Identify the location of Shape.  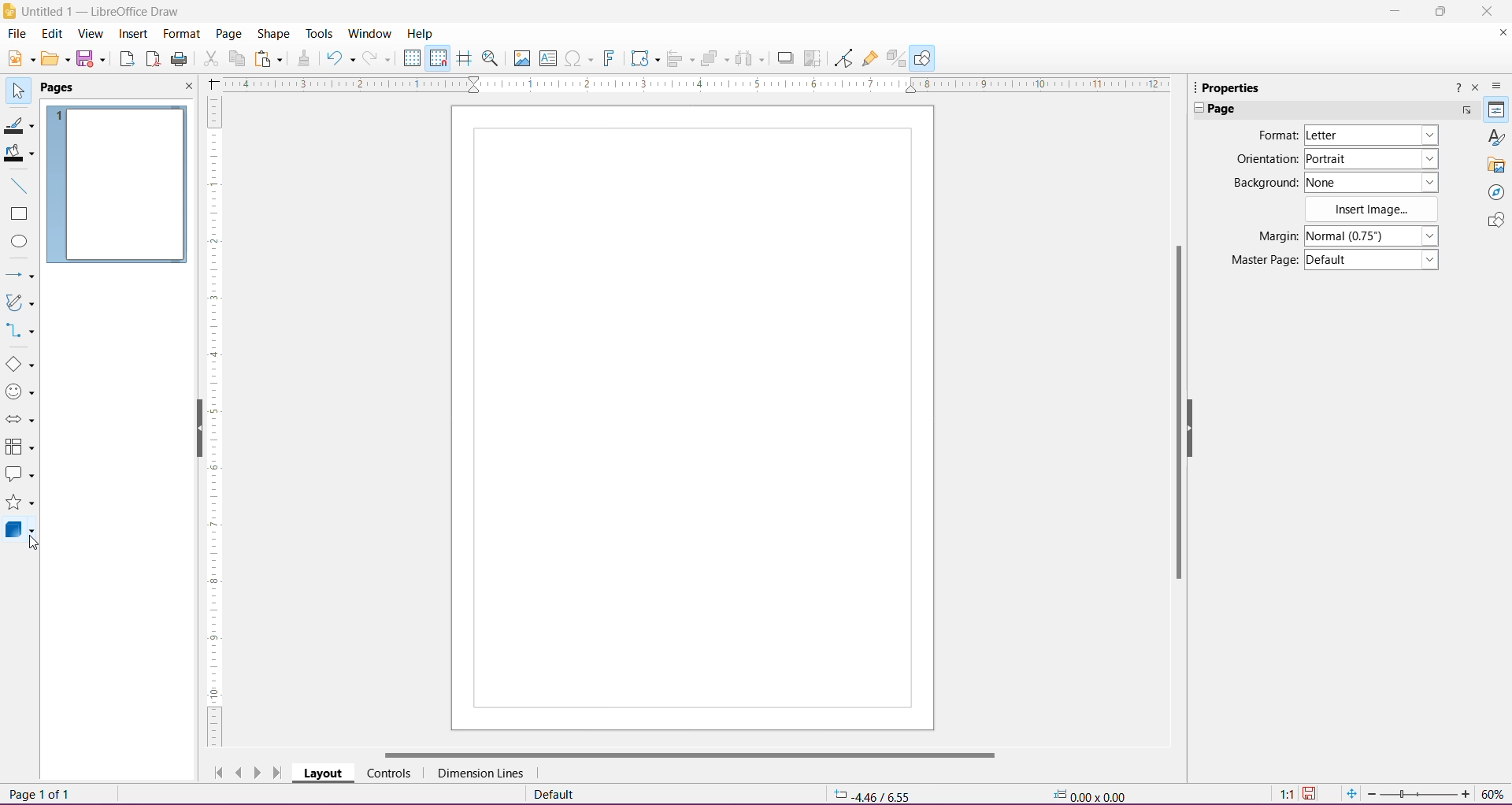
(273, 35).